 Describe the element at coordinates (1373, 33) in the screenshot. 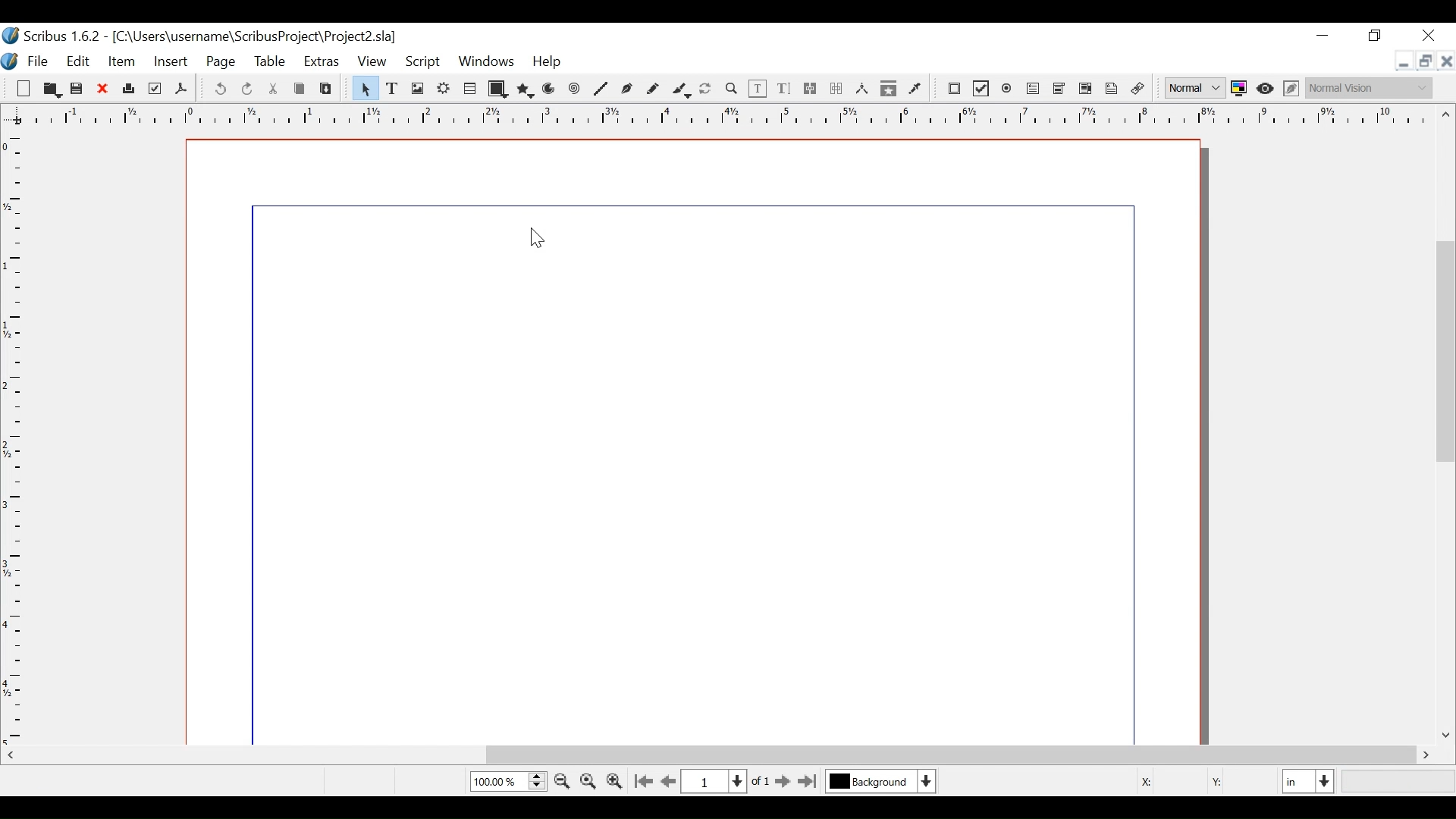

I see `Maximize` at that location.